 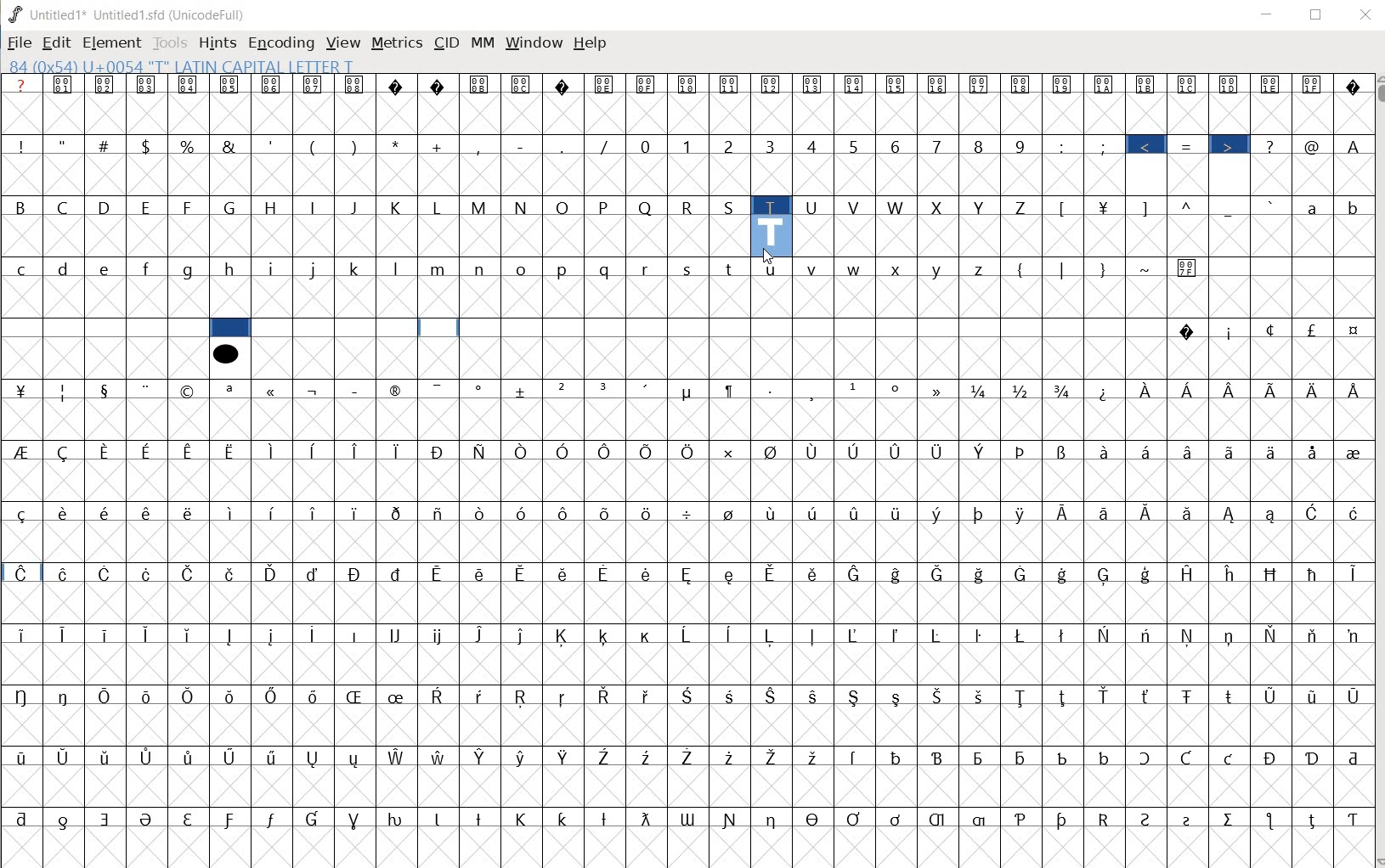 What do you see at coordinates (171, 42) in the screenshot?
I see `tools` at bounding box center [171, 42].